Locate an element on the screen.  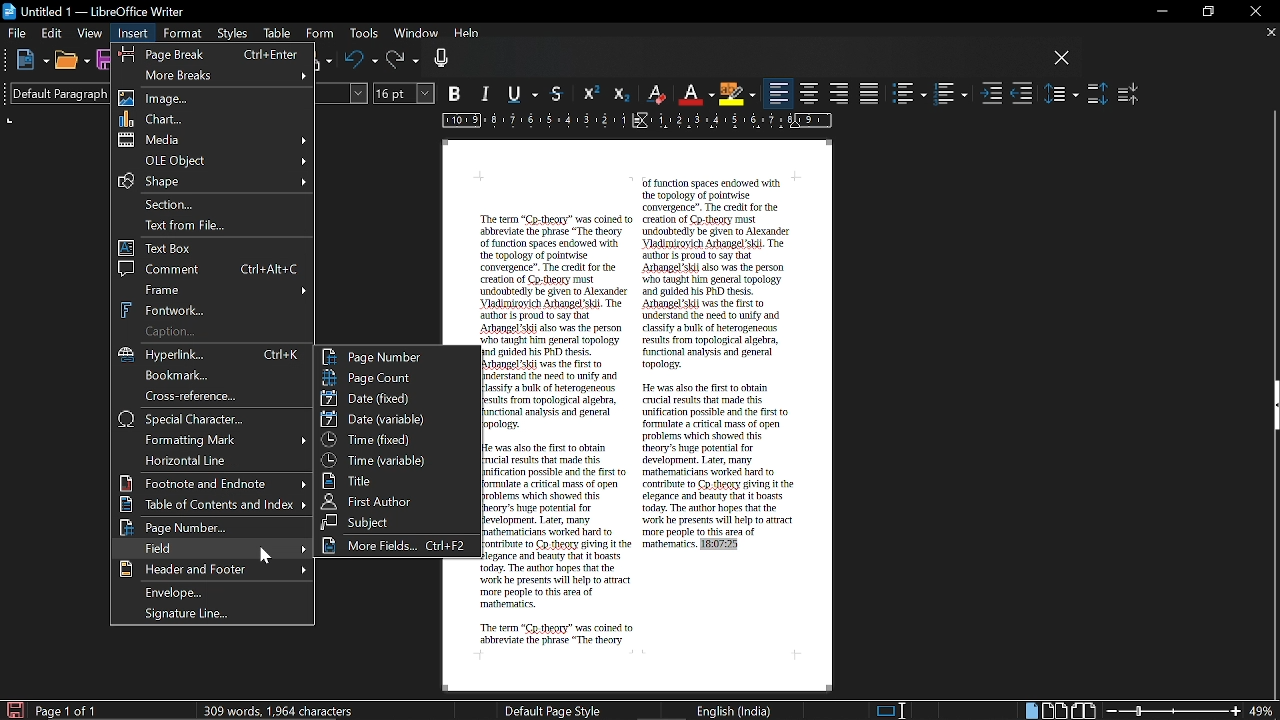
He was also the first to obtain crucial results that made this unification possible and the first to formulate a critical mass of open problems which showed this theory's huge potential for development. I ater, many mathematicians worked hard to contribute to Co theory giving it the elegance and beauty that it boasts today. The author hopes that the work he presents will help to attract more people to this area of mathematics.  The term "Cp theory" was coined to abbreviate the phrase "The theory is located at coordinates (561, 544).